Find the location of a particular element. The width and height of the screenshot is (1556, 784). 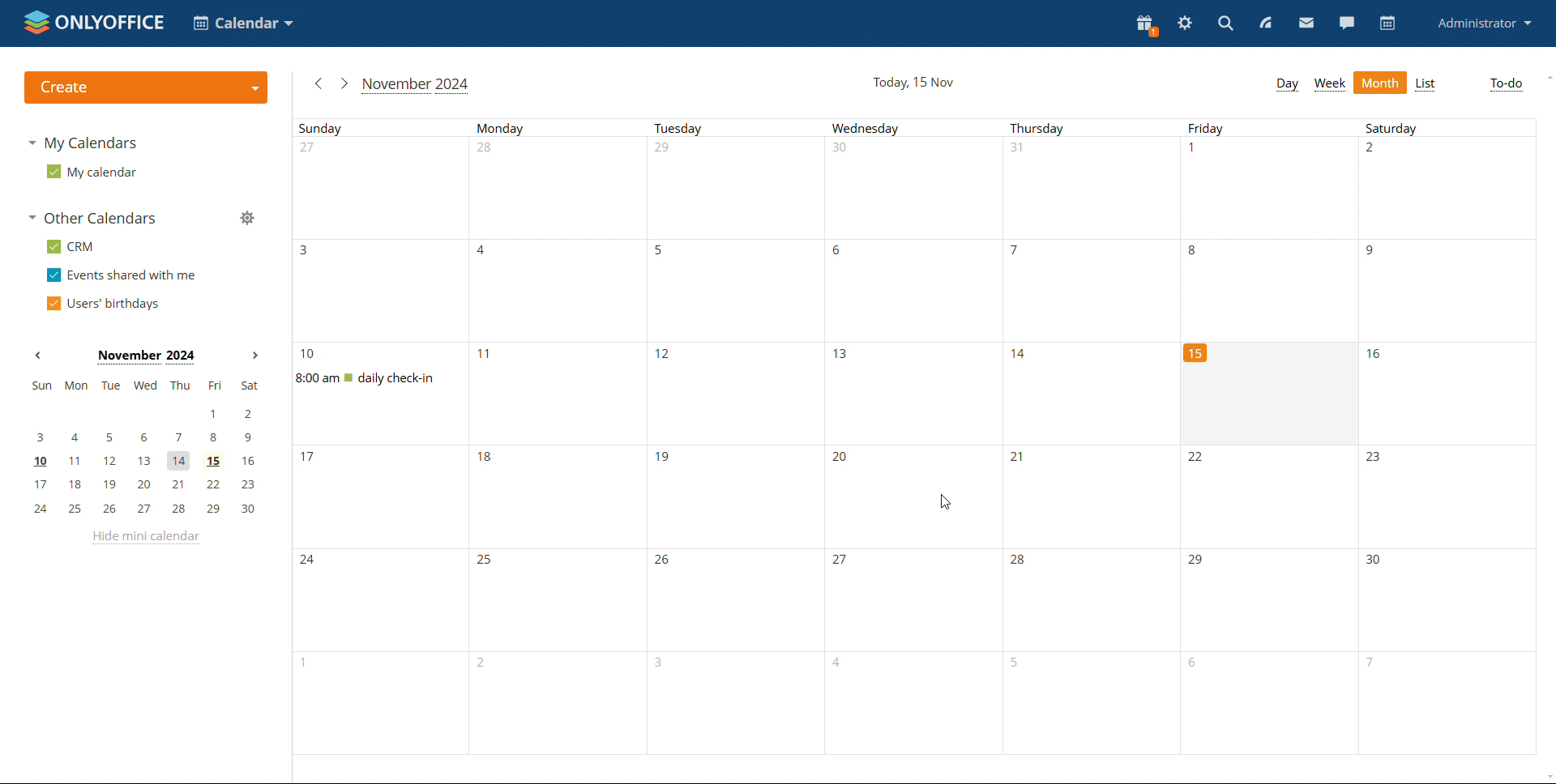

Number is located at coordinates (666, 151).